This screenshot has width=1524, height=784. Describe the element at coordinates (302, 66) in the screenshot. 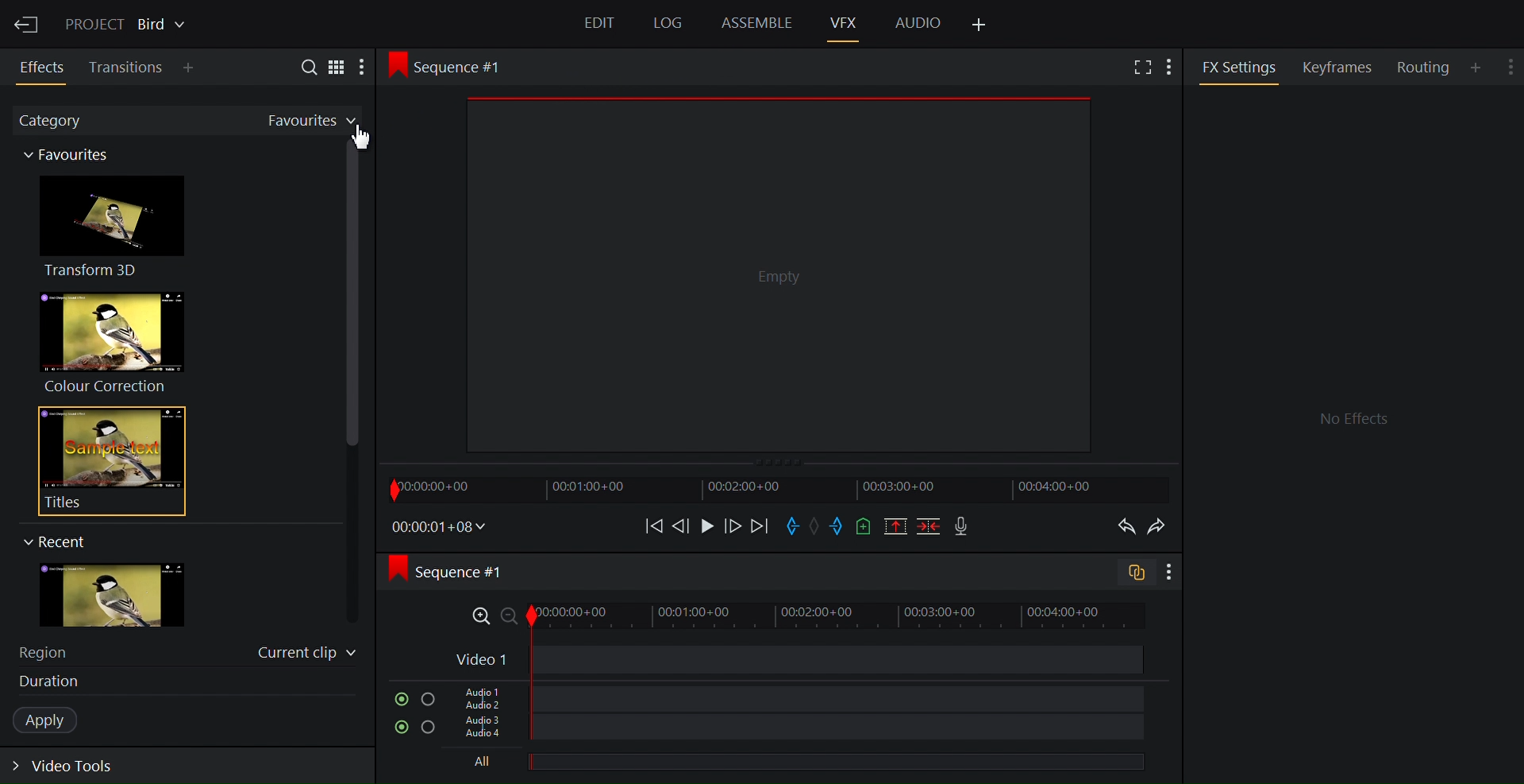

I see `Search` at that location.